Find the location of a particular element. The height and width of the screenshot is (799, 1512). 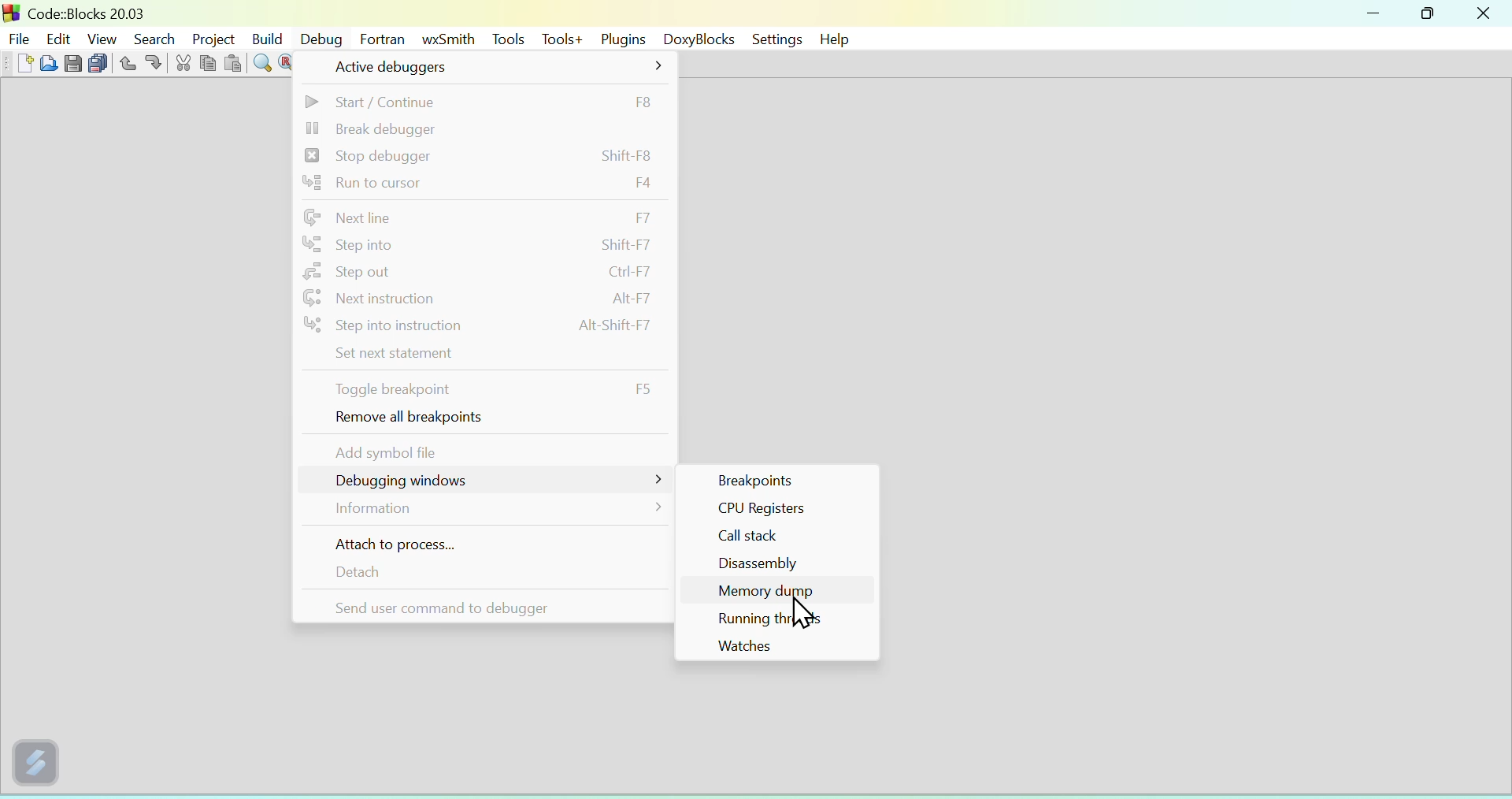

Memory dump is located at coordinates (776, 593).